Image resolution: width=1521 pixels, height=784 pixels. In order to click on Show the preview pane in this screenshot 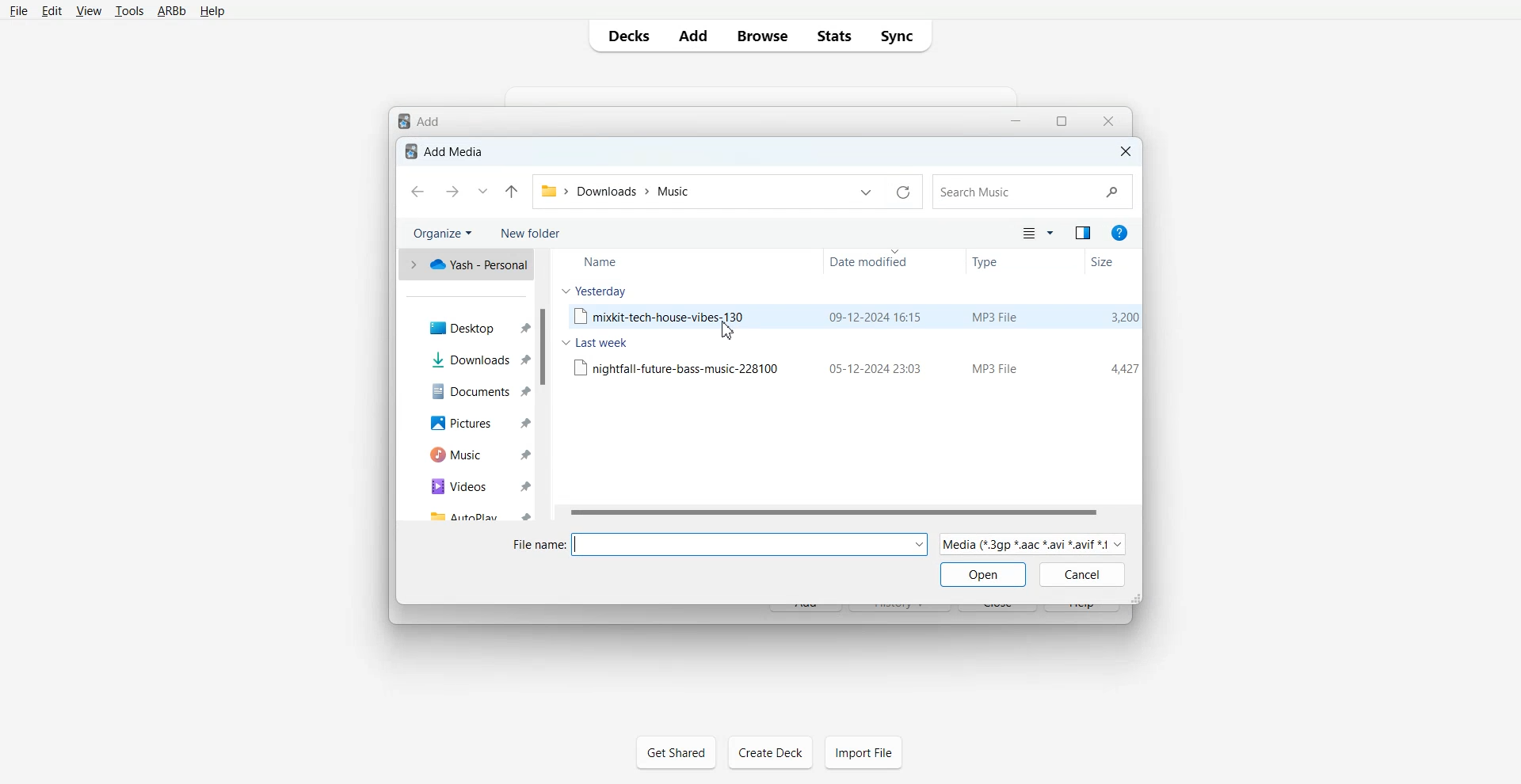, I will do `click(1083, 234)`.